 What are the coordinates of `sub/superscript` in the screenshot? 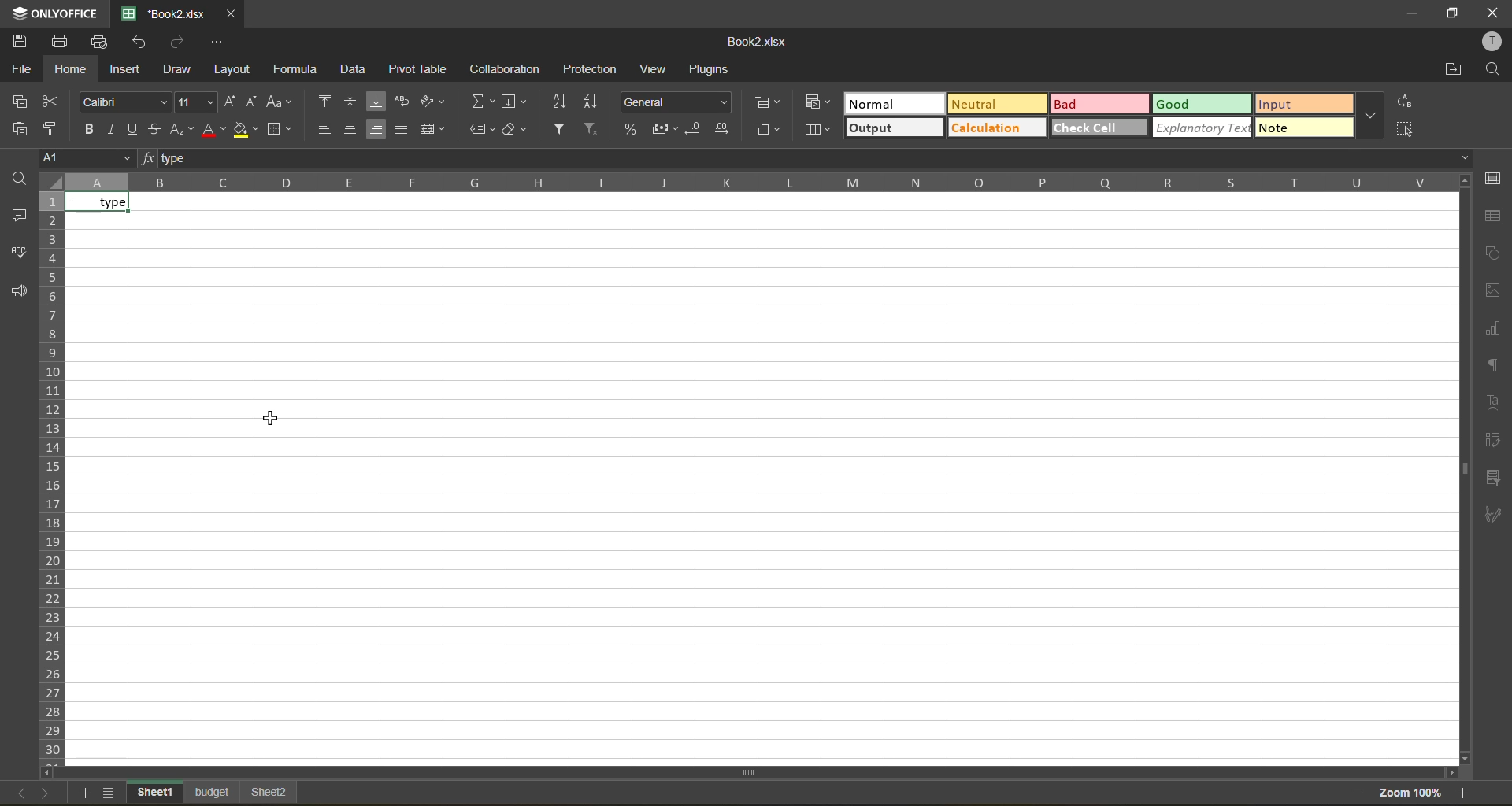 It's located at (183, 130).